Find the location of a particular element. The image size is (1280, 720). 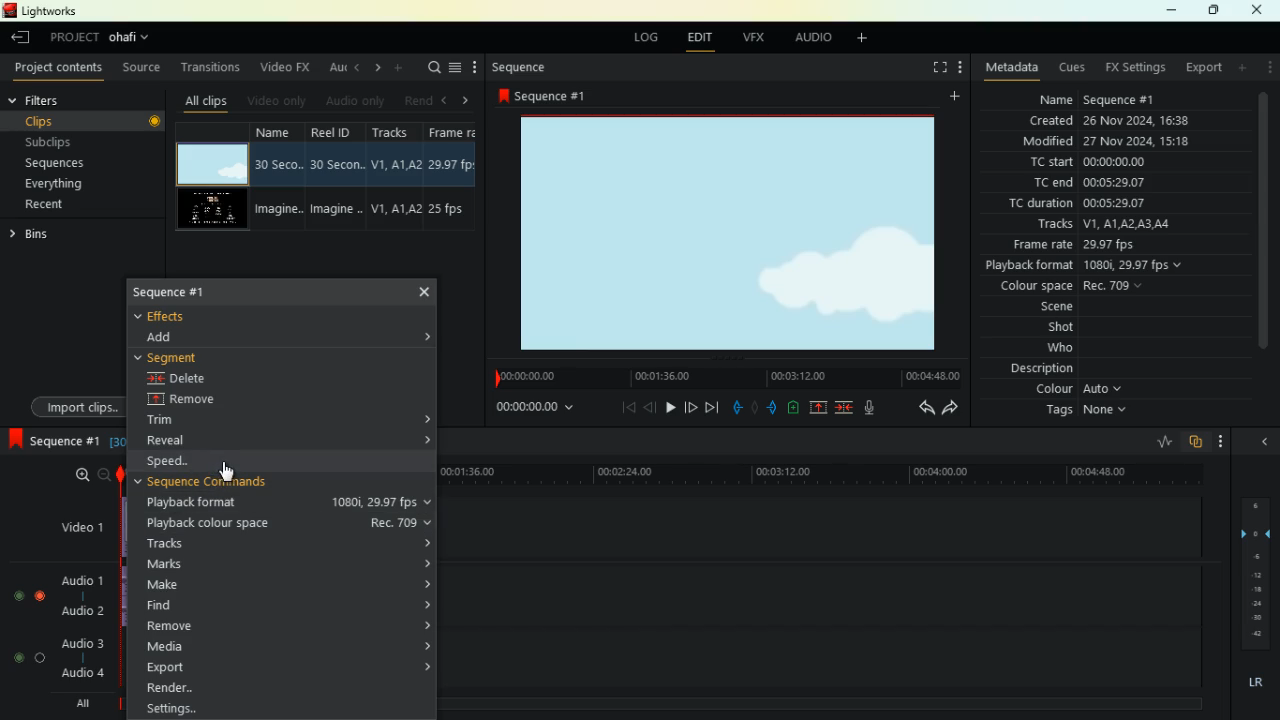

back is located at coordinates (920, 407).